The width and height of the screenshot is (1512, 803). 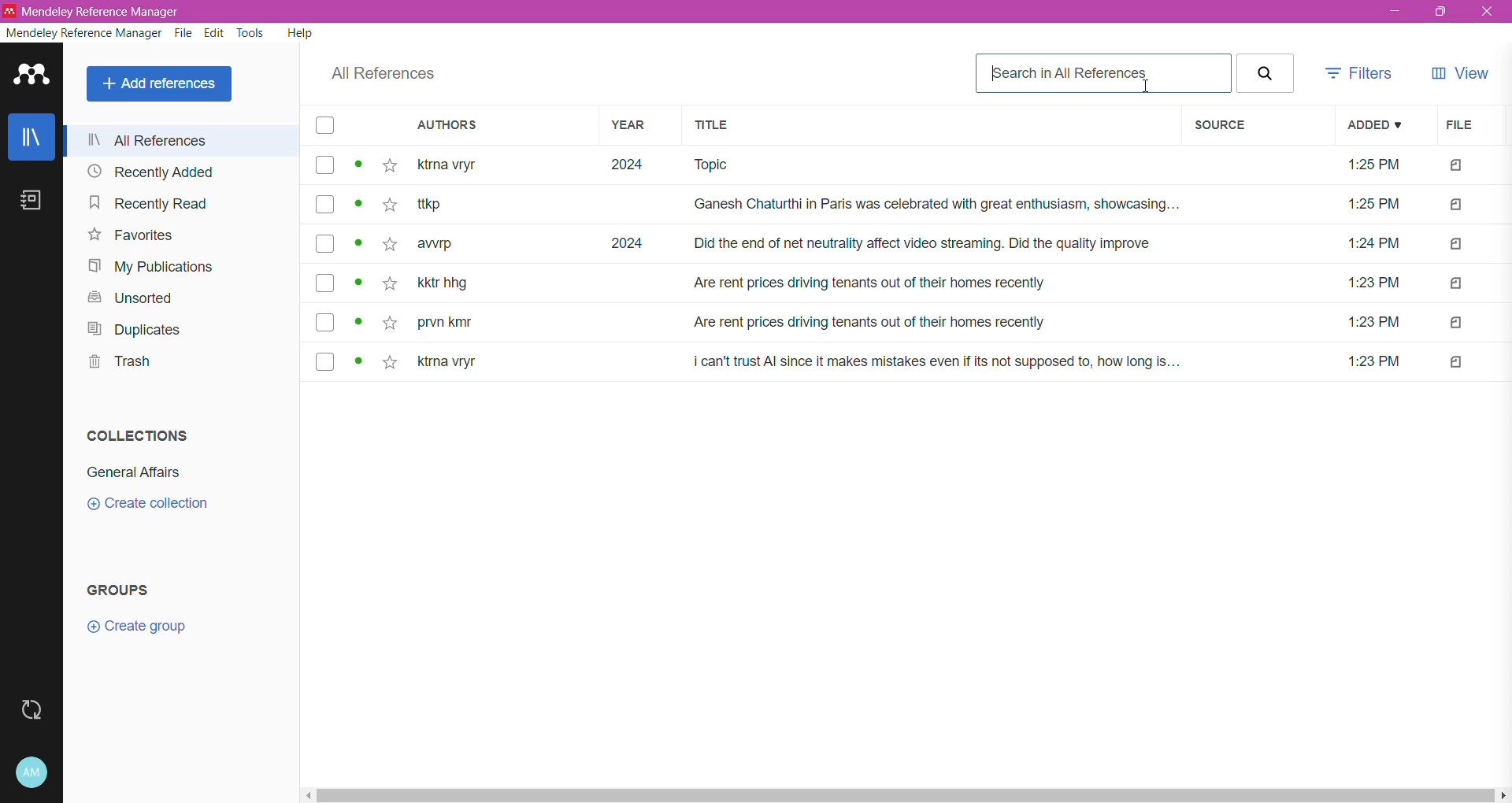 I want to click on click here to add to favourites, so click(x=388, y=287).